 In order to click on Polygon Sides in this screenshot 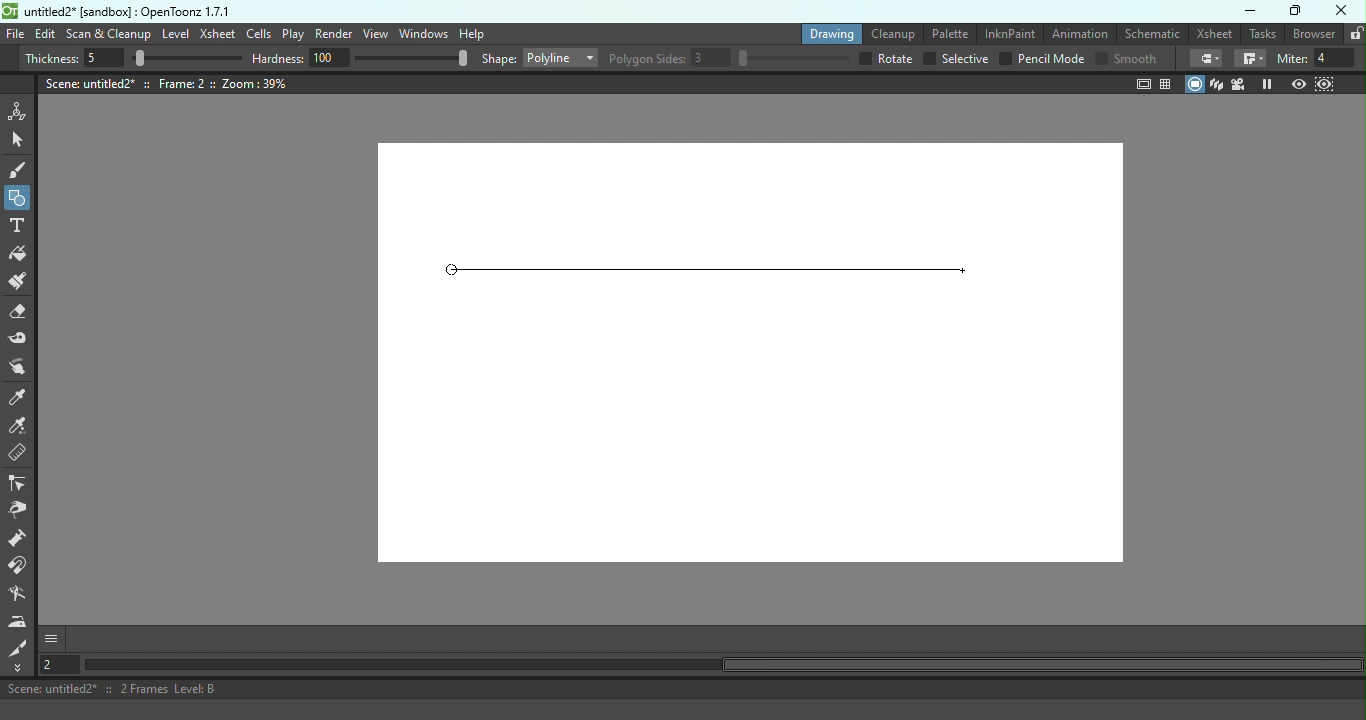, I will do `click(730, 59)`.